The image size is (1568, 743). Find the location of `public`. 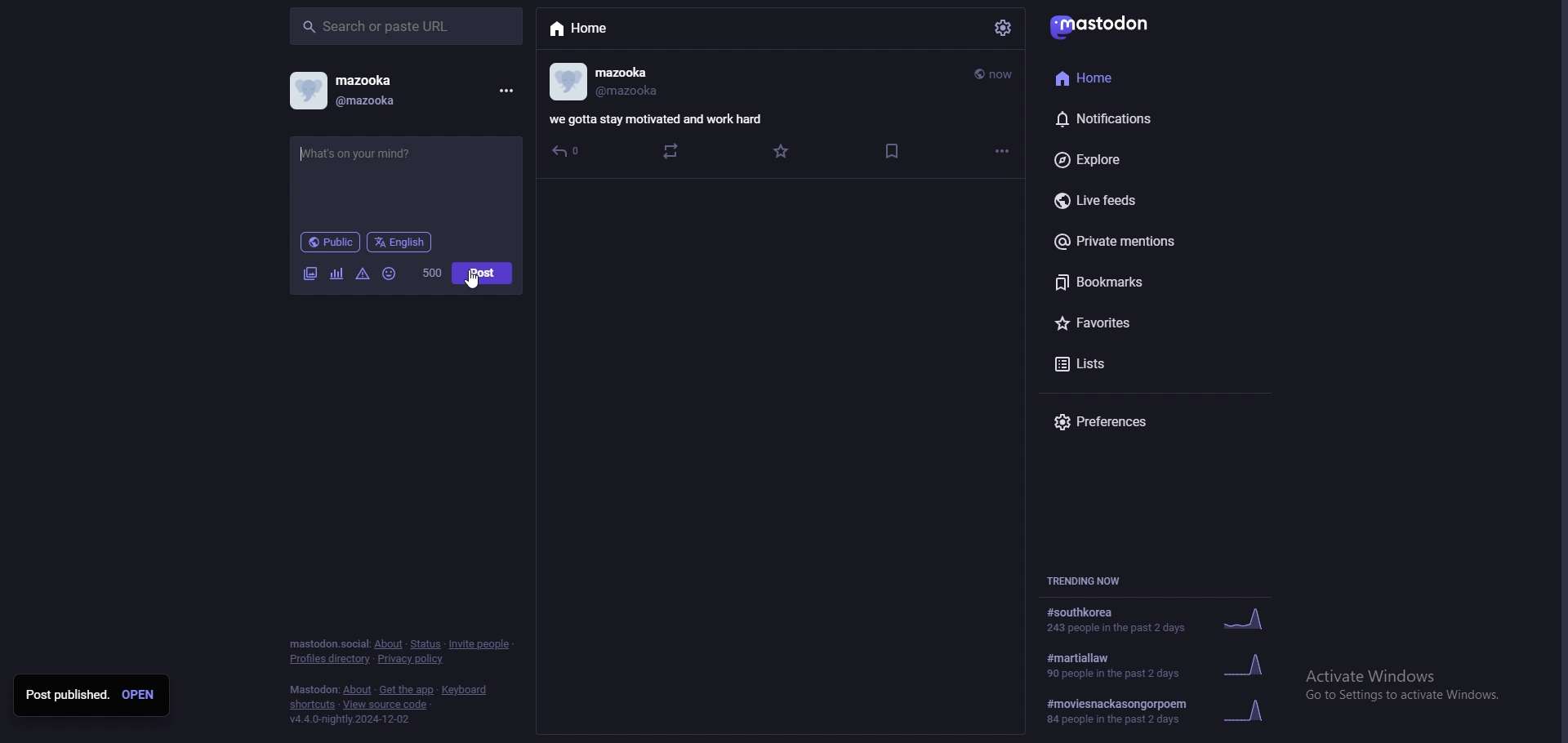

public is located at coordinates (329, 242).